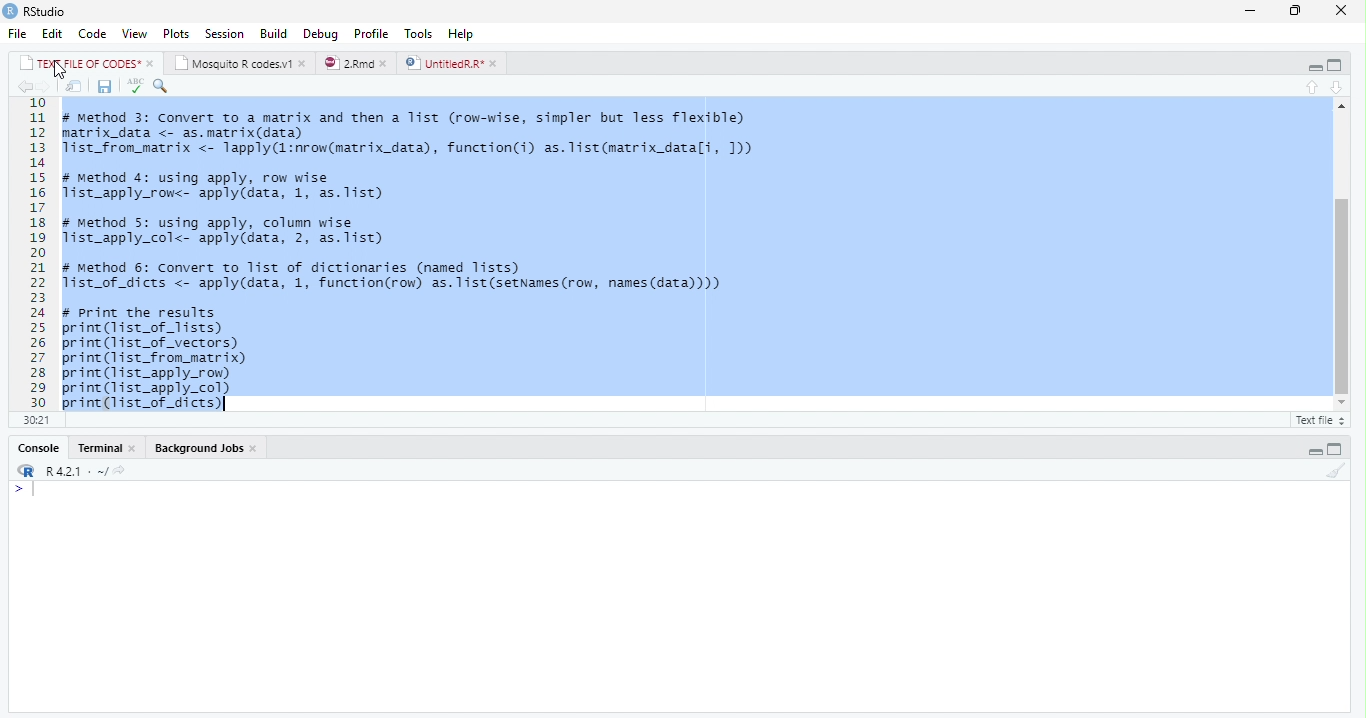  I want to click on Console, so click(39, 447).